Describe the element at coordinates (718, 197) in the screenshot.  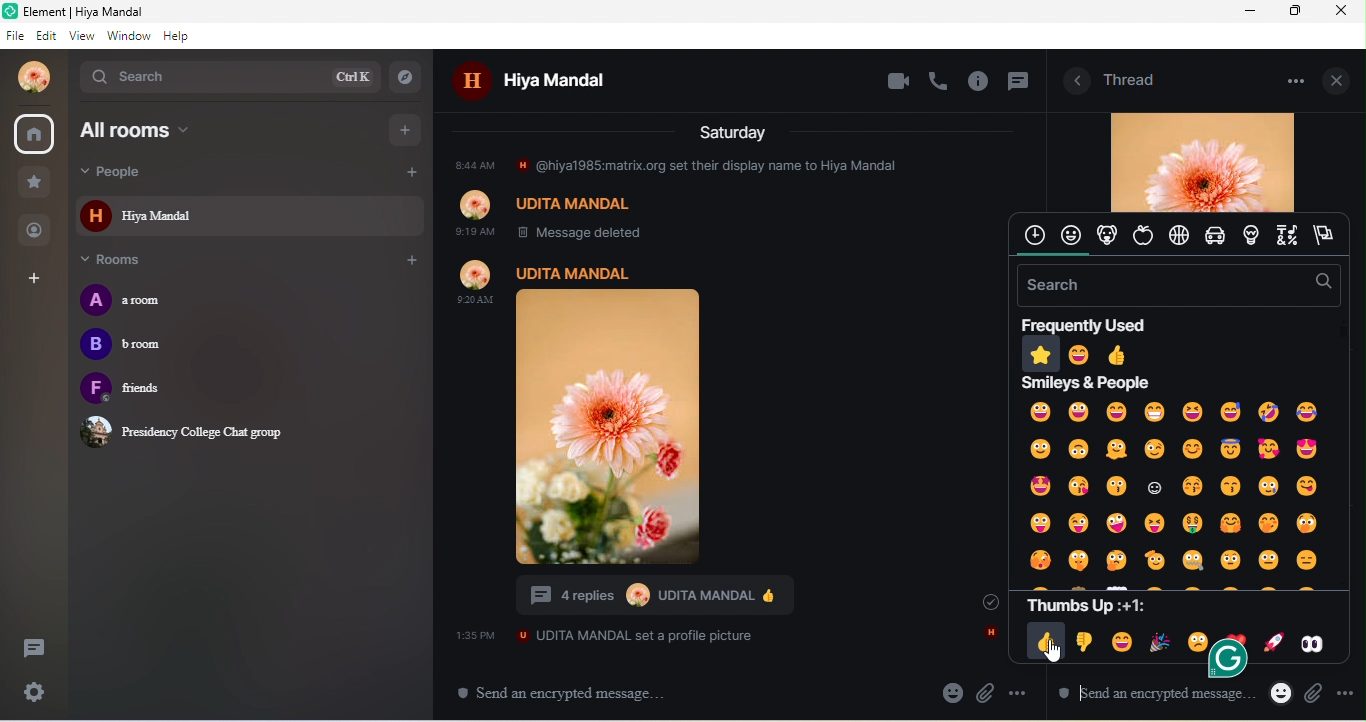
I see `older message` at that location.